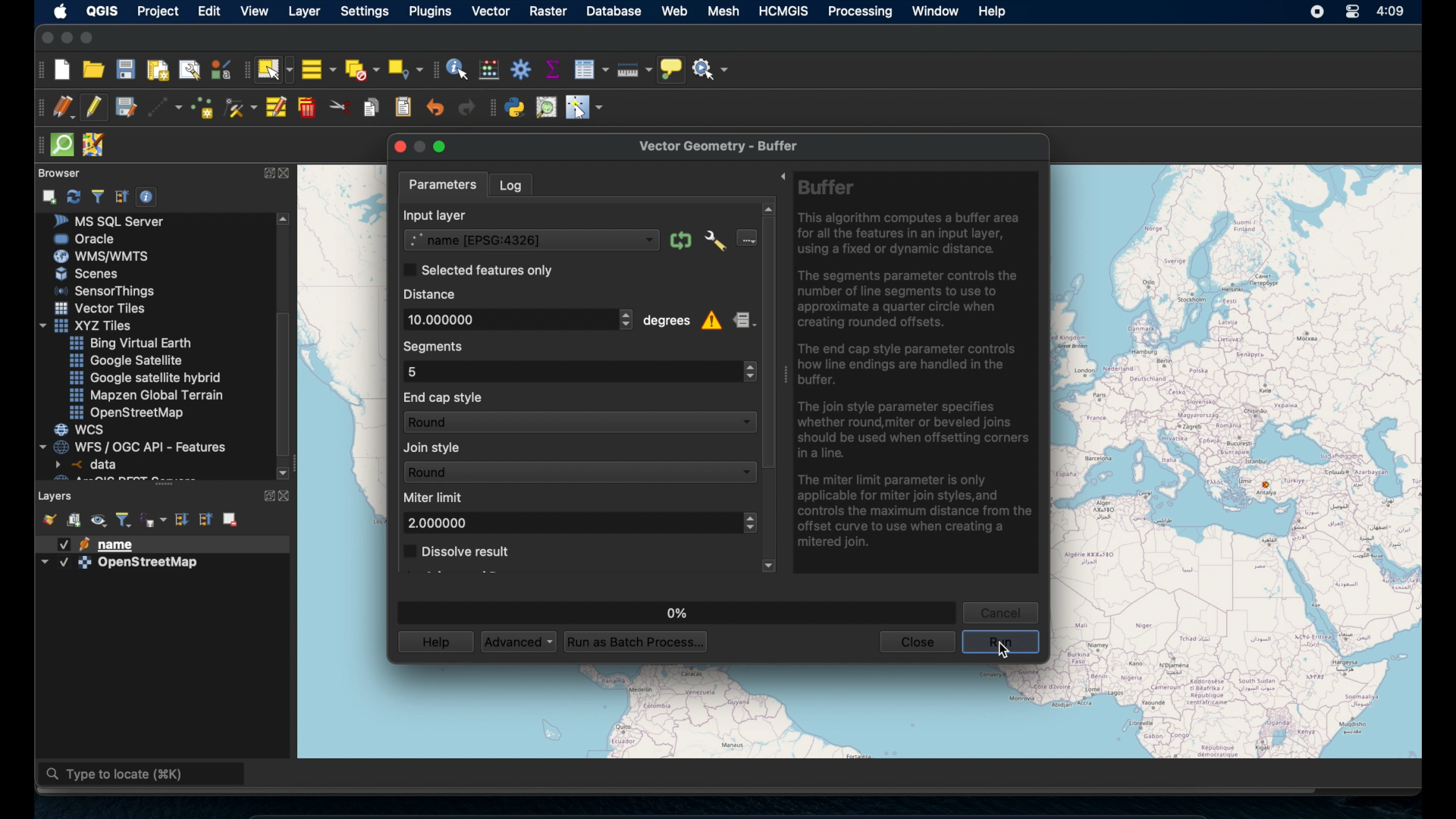 The image size is (1456, 819). Describe the element at coordinates (713, 322) in the screenshot. I see `info` at that location.